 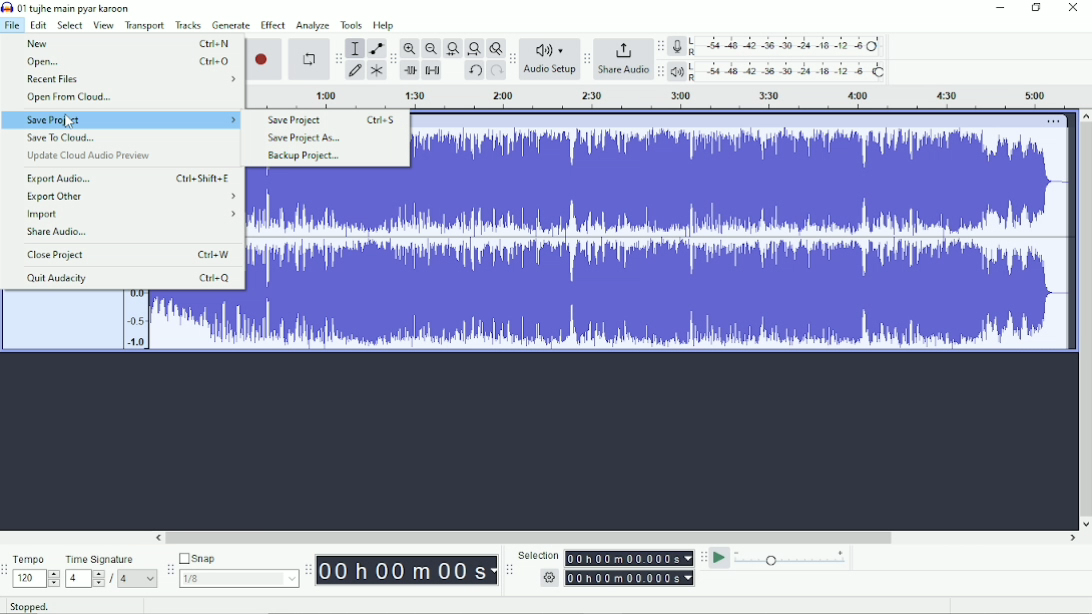 I want to click on Transport, so click(x=145, y=25).